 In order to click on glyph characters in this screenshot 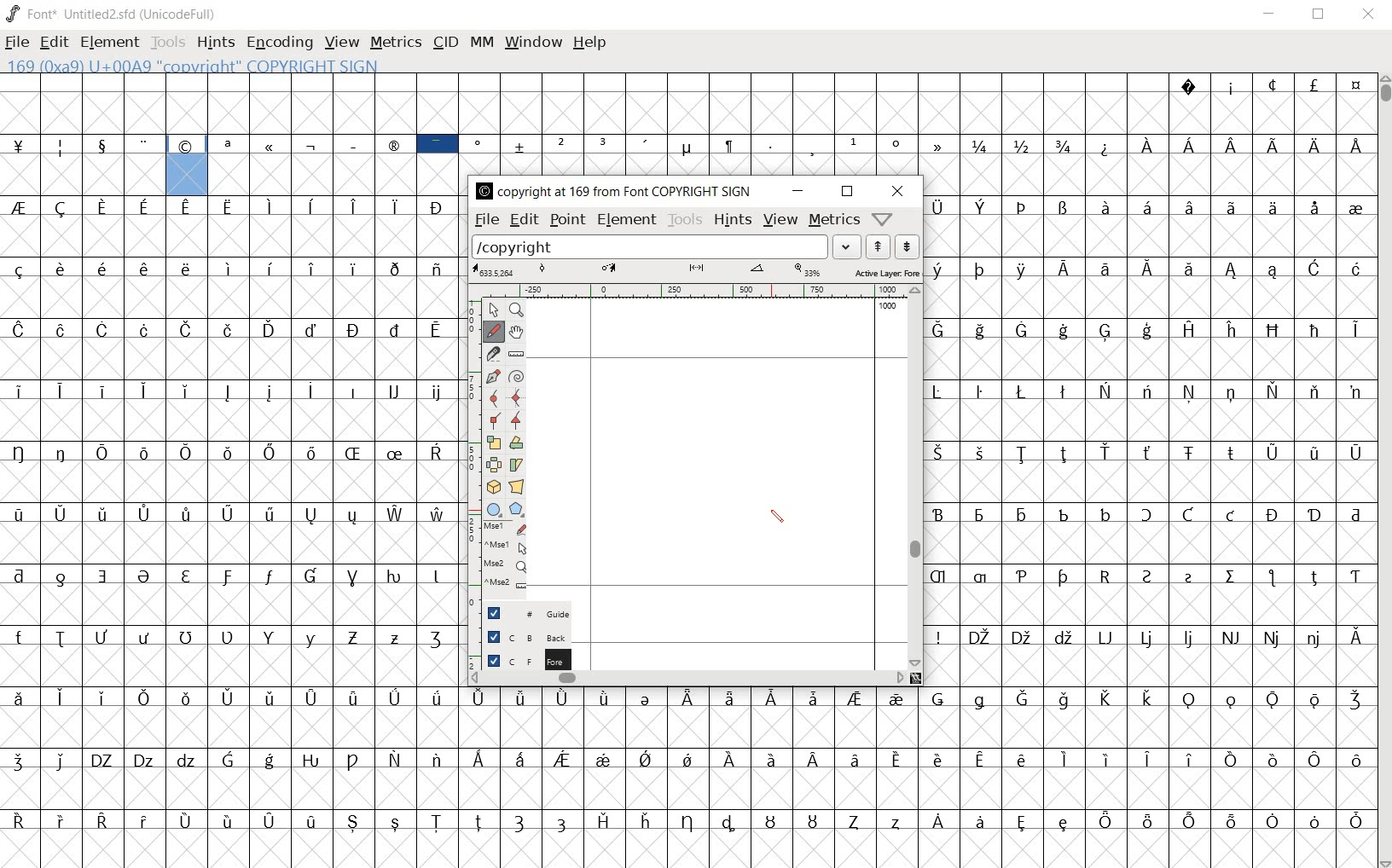, I will do `click(1150, 438)`.